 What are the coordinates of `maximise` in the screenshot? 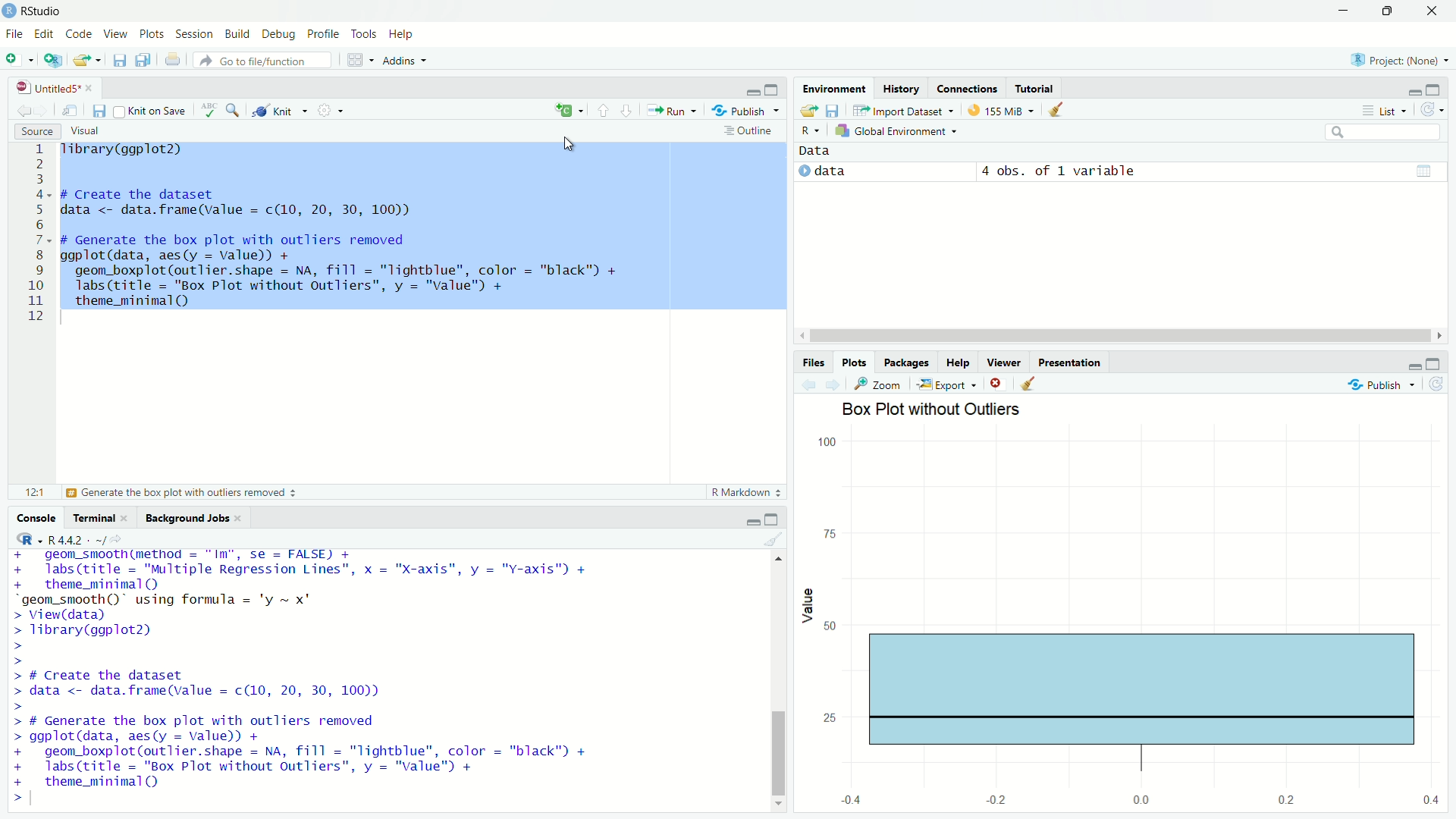 It's located at (774, 89).